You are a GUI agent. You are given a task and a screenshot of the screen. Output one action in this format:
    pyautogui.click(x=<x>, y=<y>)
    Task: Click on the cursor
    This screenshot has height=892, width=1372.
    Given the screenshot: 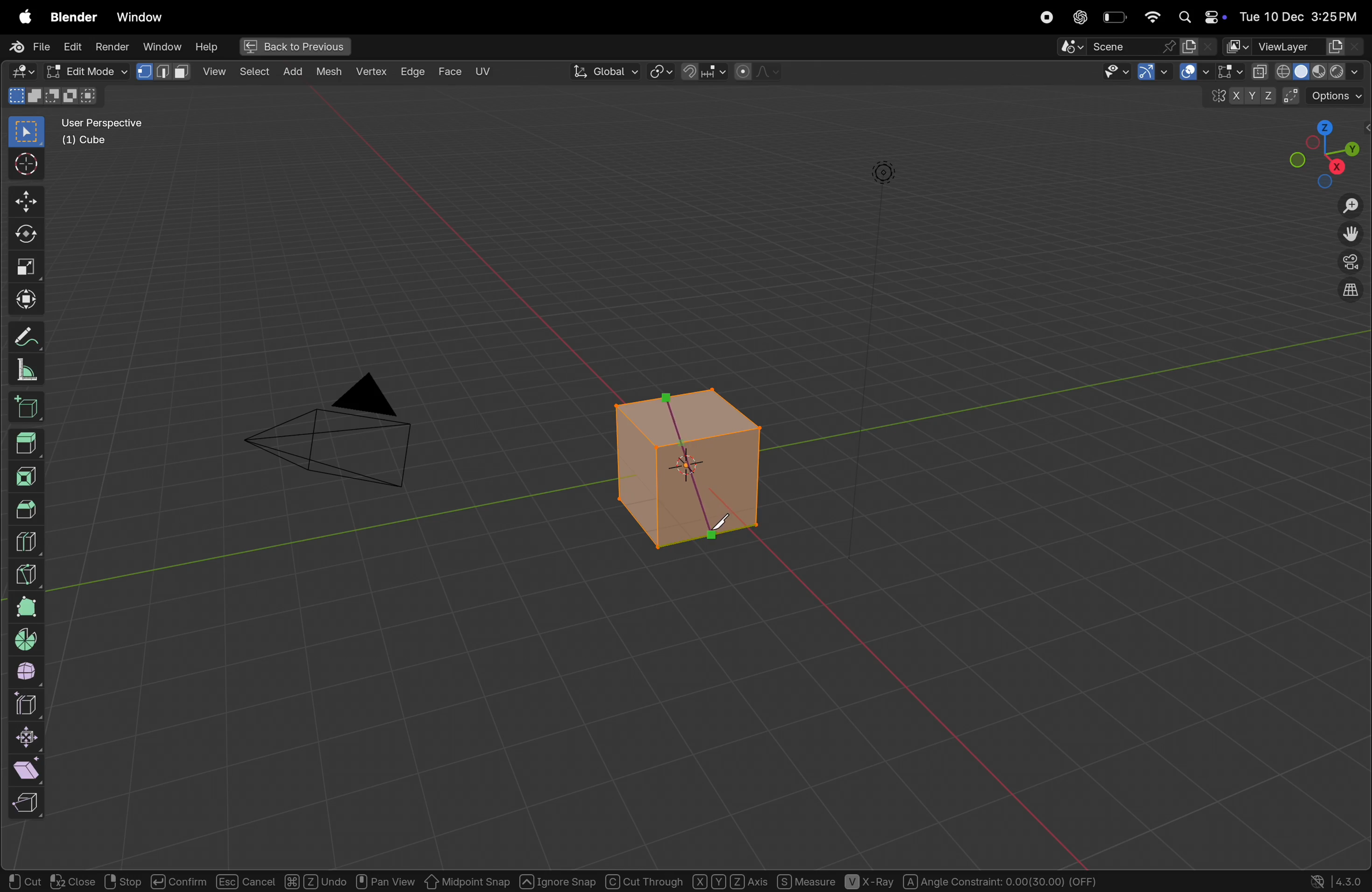 What is the action you would take?
    pyautogui.click(x=24, y=165)
    